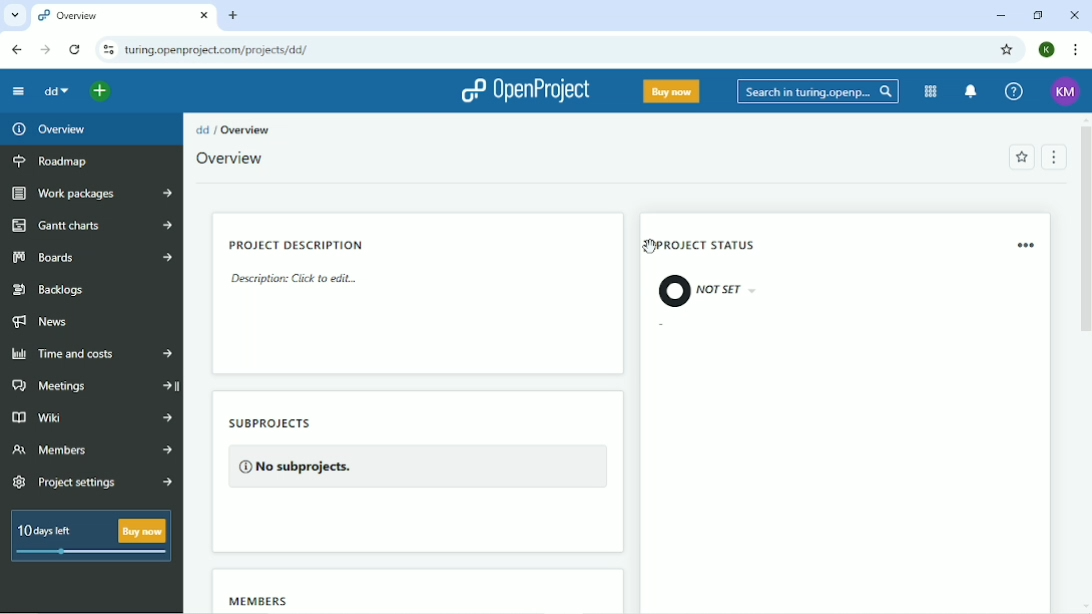 Image resolution: width=1092 pixels, height=614 pixels. I want to click on Account, so click(1048, 50).